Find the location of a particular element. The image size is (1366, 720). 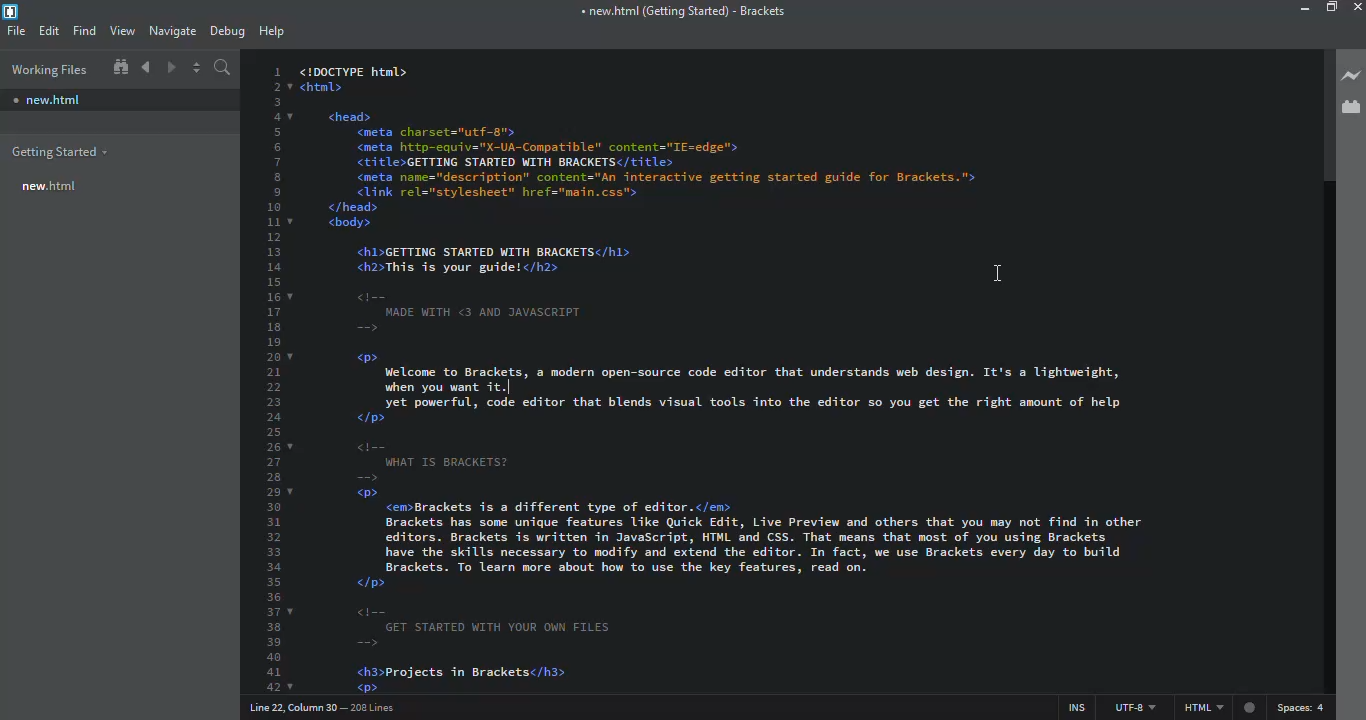

test code is located at coordinates (743, 377).